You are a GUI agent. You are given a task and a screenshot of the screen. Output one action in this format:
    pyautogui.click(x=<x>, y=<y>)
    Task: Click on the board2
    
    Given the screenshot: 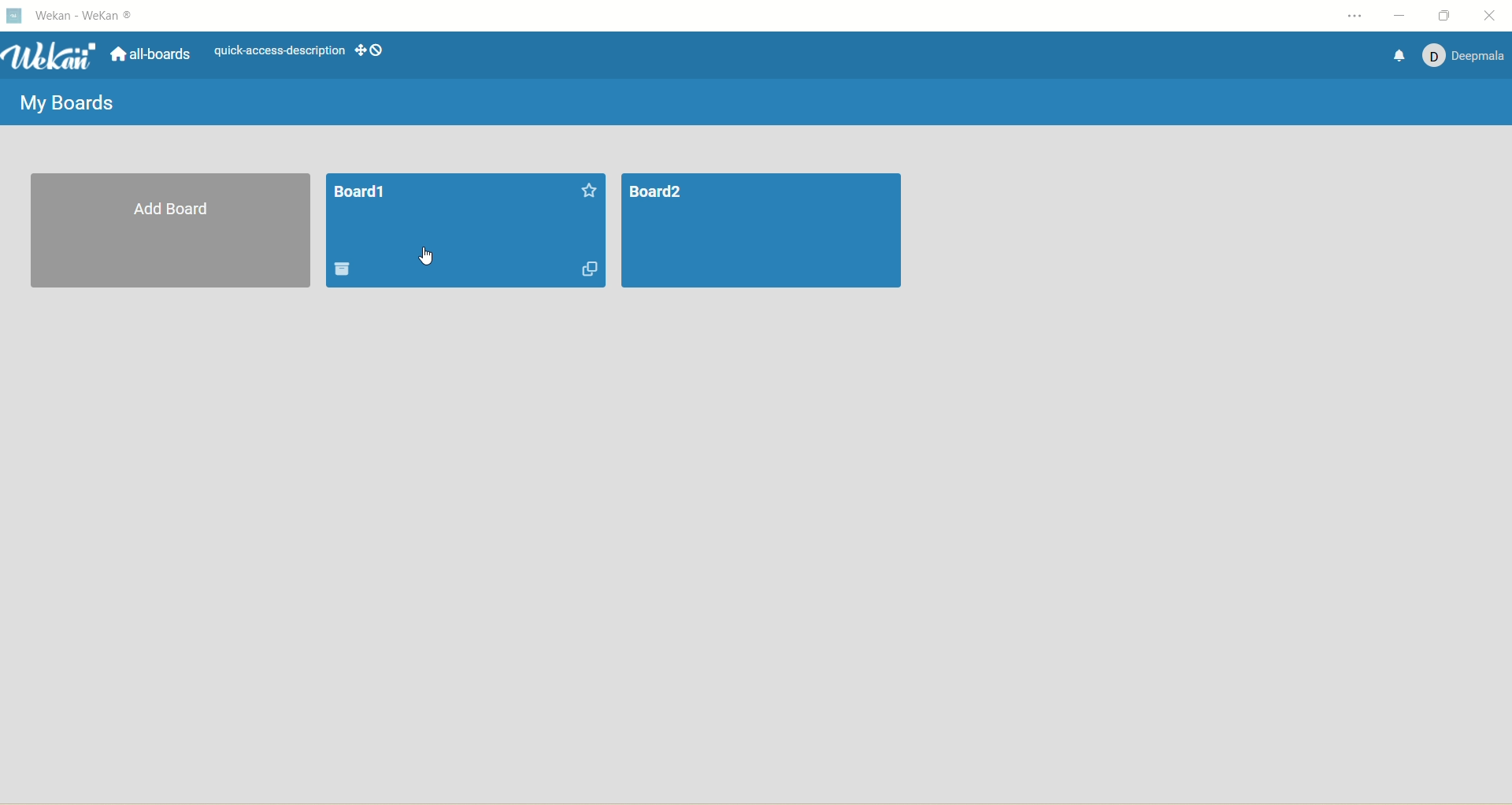 What is the action you would take?
    pyautogui.click(x=760, y=231)
    